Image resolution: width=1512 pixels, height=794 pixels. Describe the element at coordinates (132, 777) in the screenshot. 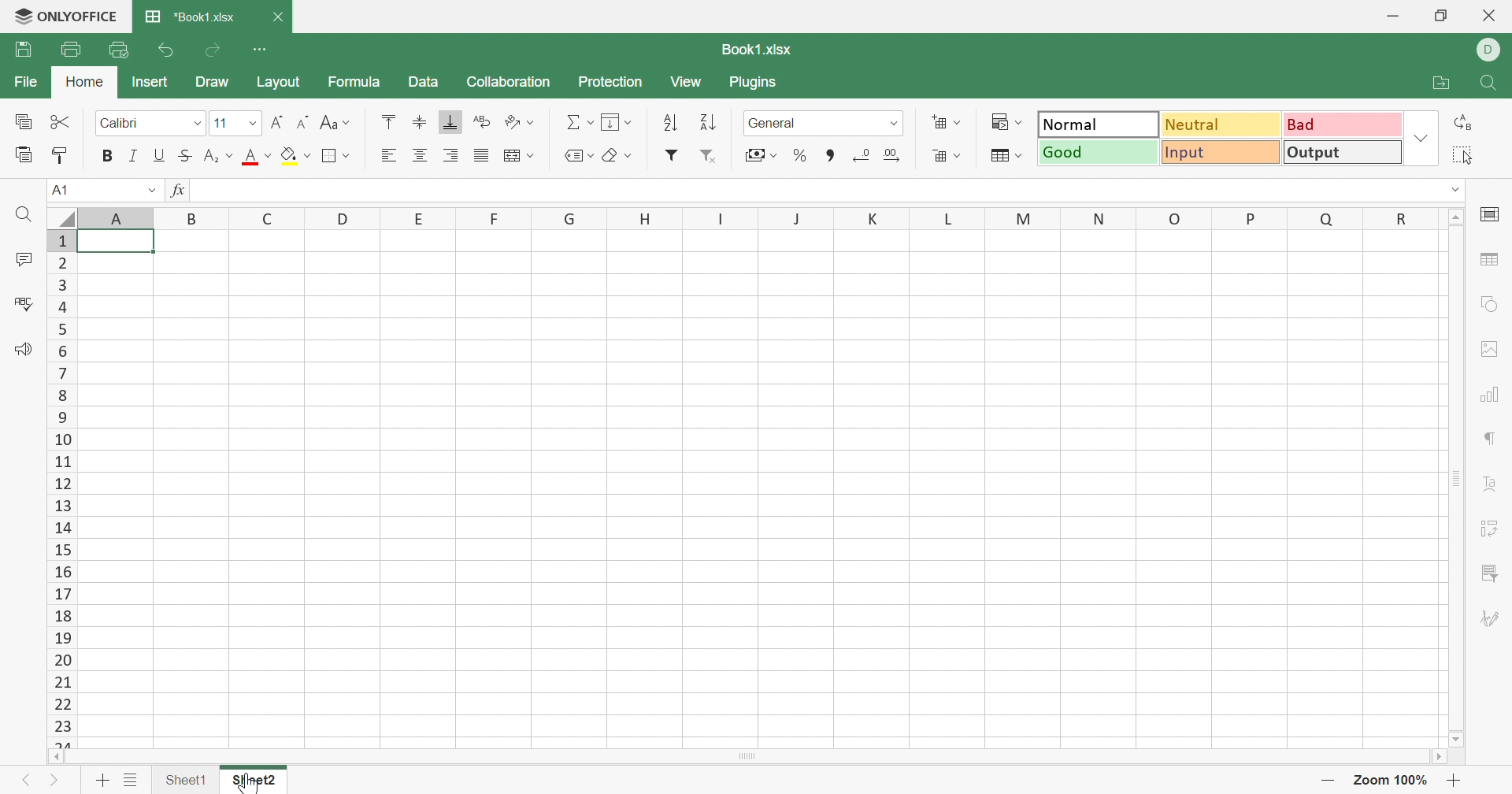

I see `List of sheets` at that location.